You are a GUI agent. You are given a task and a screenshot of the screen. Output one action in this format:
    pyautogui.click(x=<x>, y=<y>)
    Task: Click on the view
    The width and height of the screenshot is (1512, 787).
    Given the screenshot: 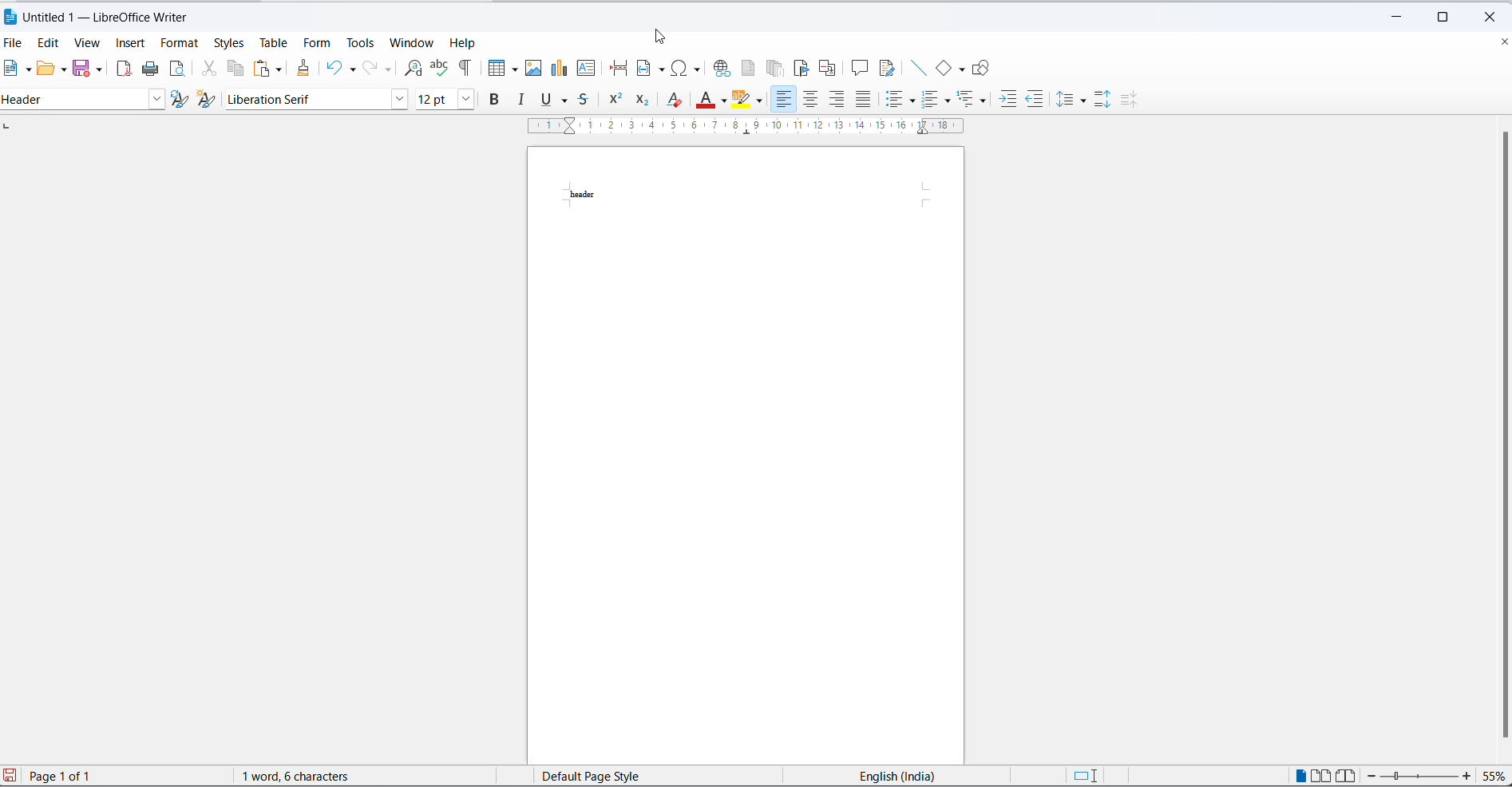 What is the action you would take?
    pyautogui.click(x=89, y=43)
    